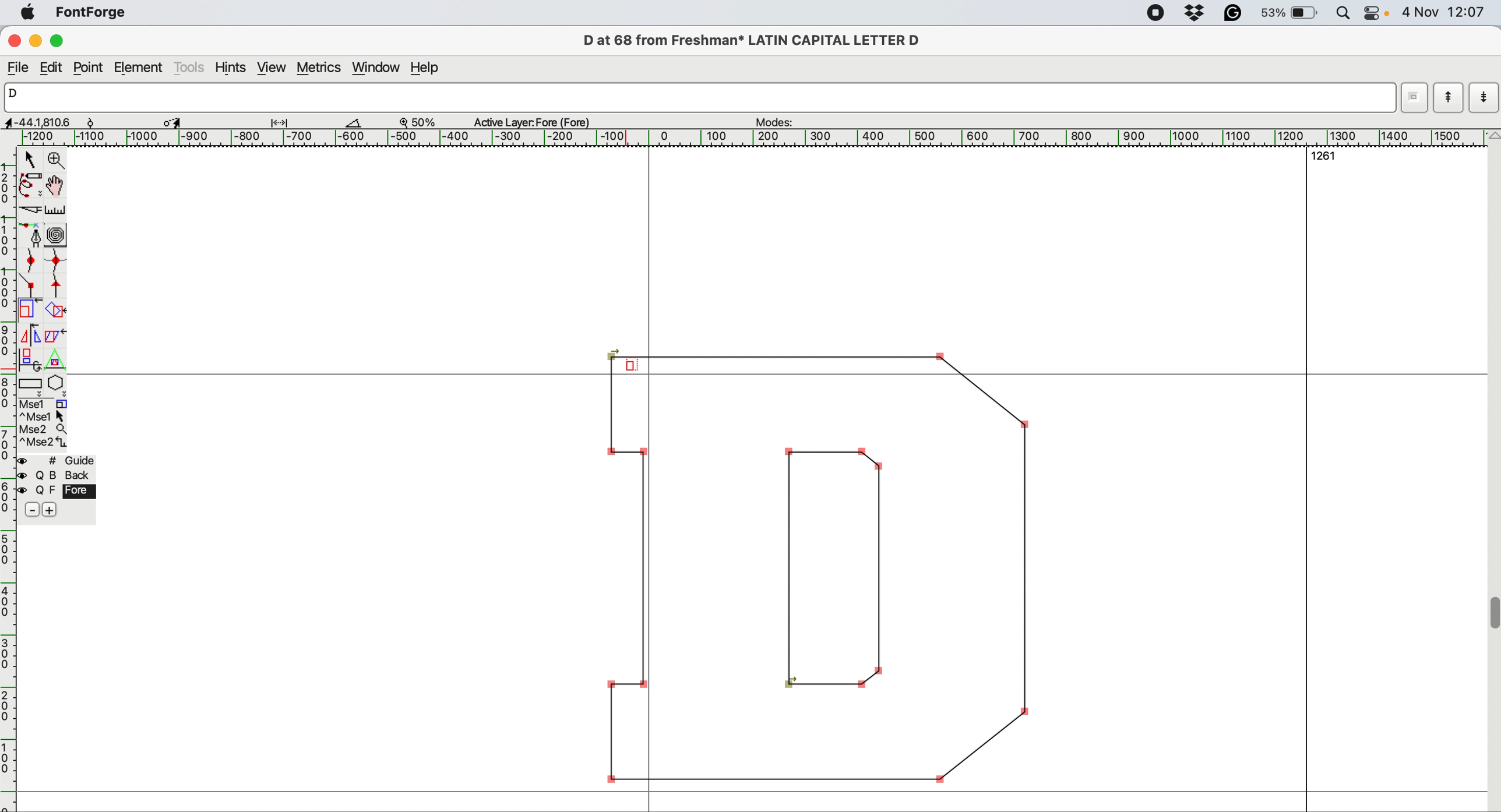 The height and width of the screenshot is (812, 1501). I want to click on D, so click(692, 97).